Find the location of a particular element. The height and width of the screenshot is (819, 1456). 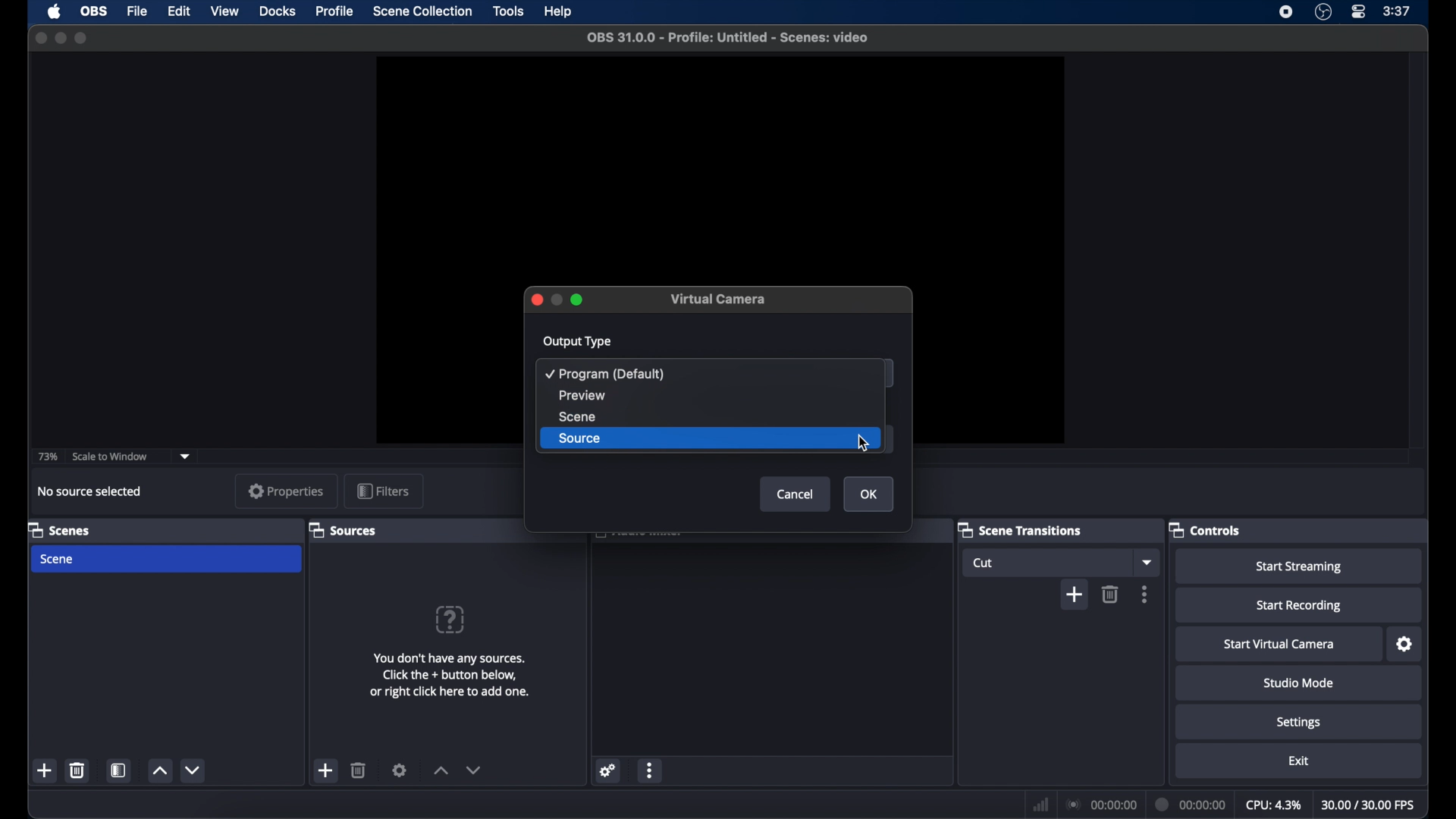

settings is located at coordinates (608, 770).